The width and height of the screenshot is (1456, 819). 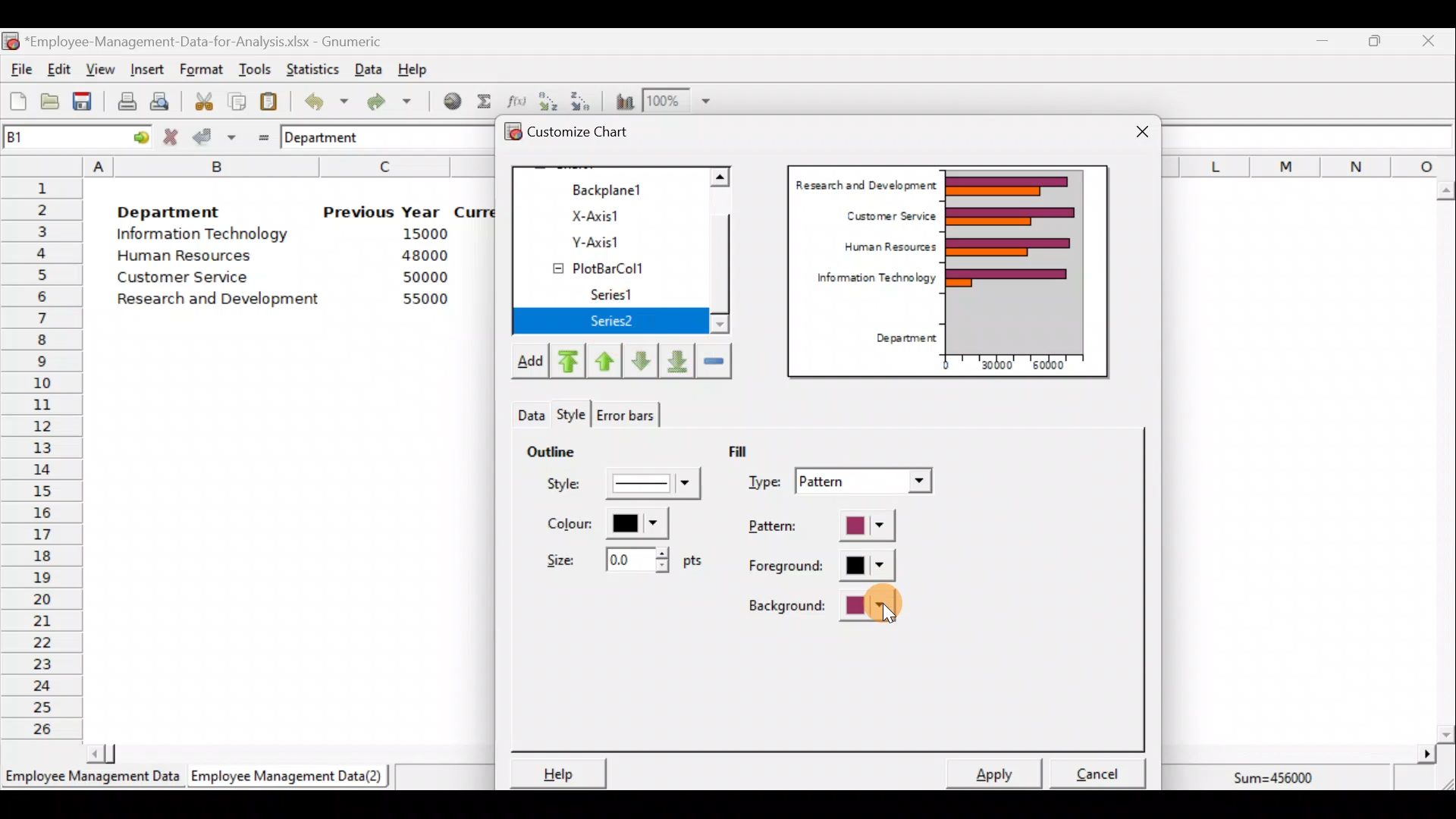 I want to click on Customer Service, so click(x=187, y=281).